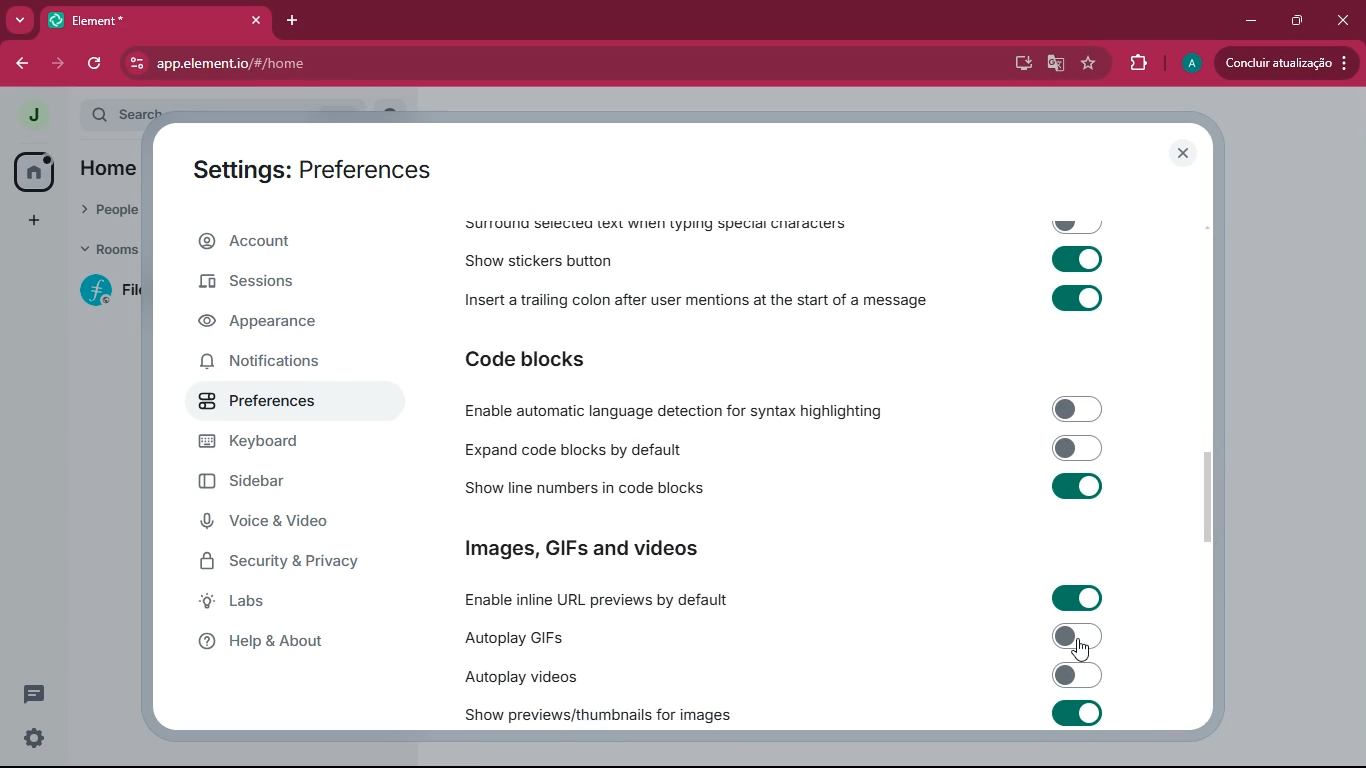 The image size is (1366, 768). What do you see at coordinates (287, 241) in the screenshot?
I see `account` at bounding box center [287, 241].